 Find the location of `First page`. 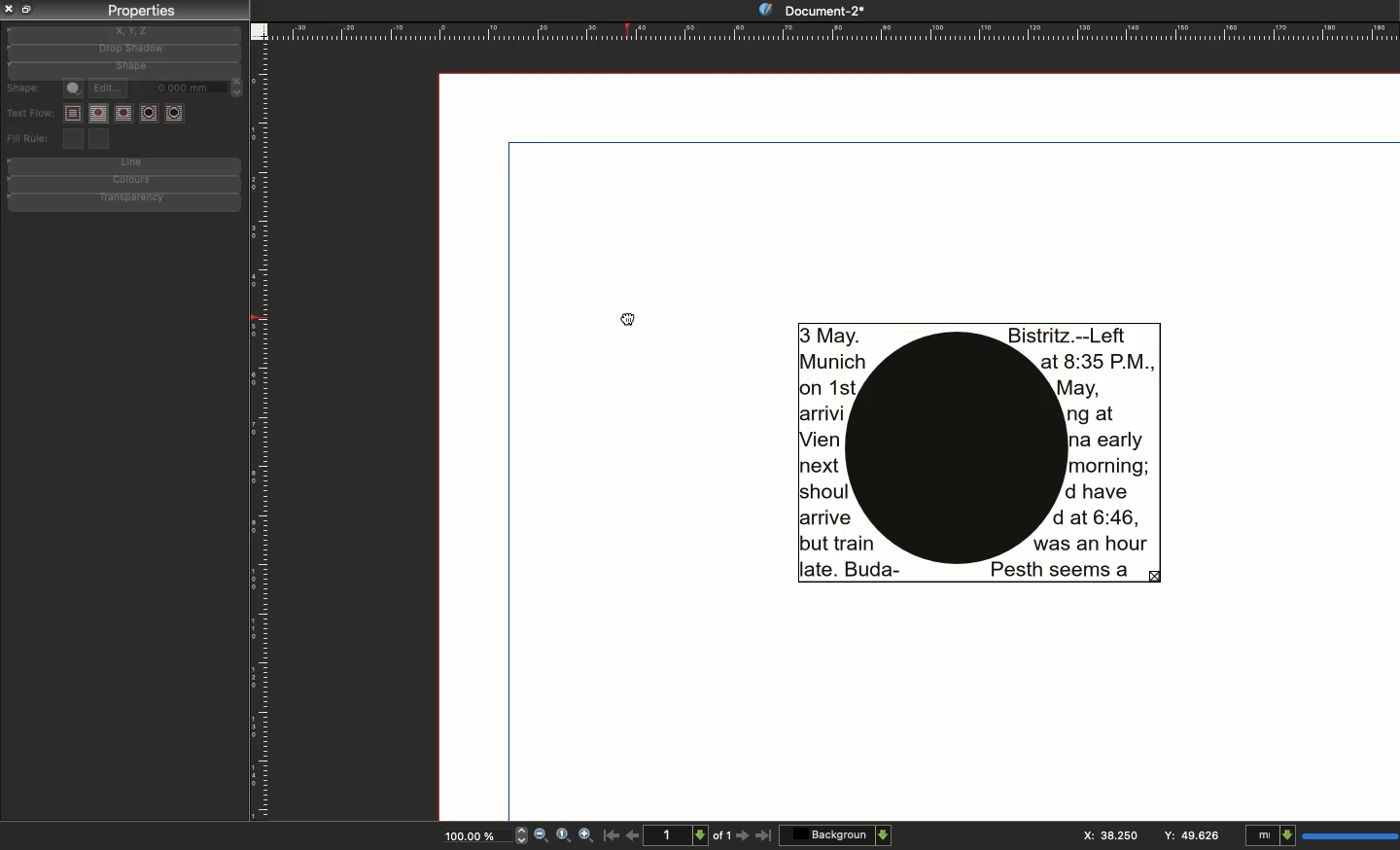

First page is located at coordinates (610, 838).